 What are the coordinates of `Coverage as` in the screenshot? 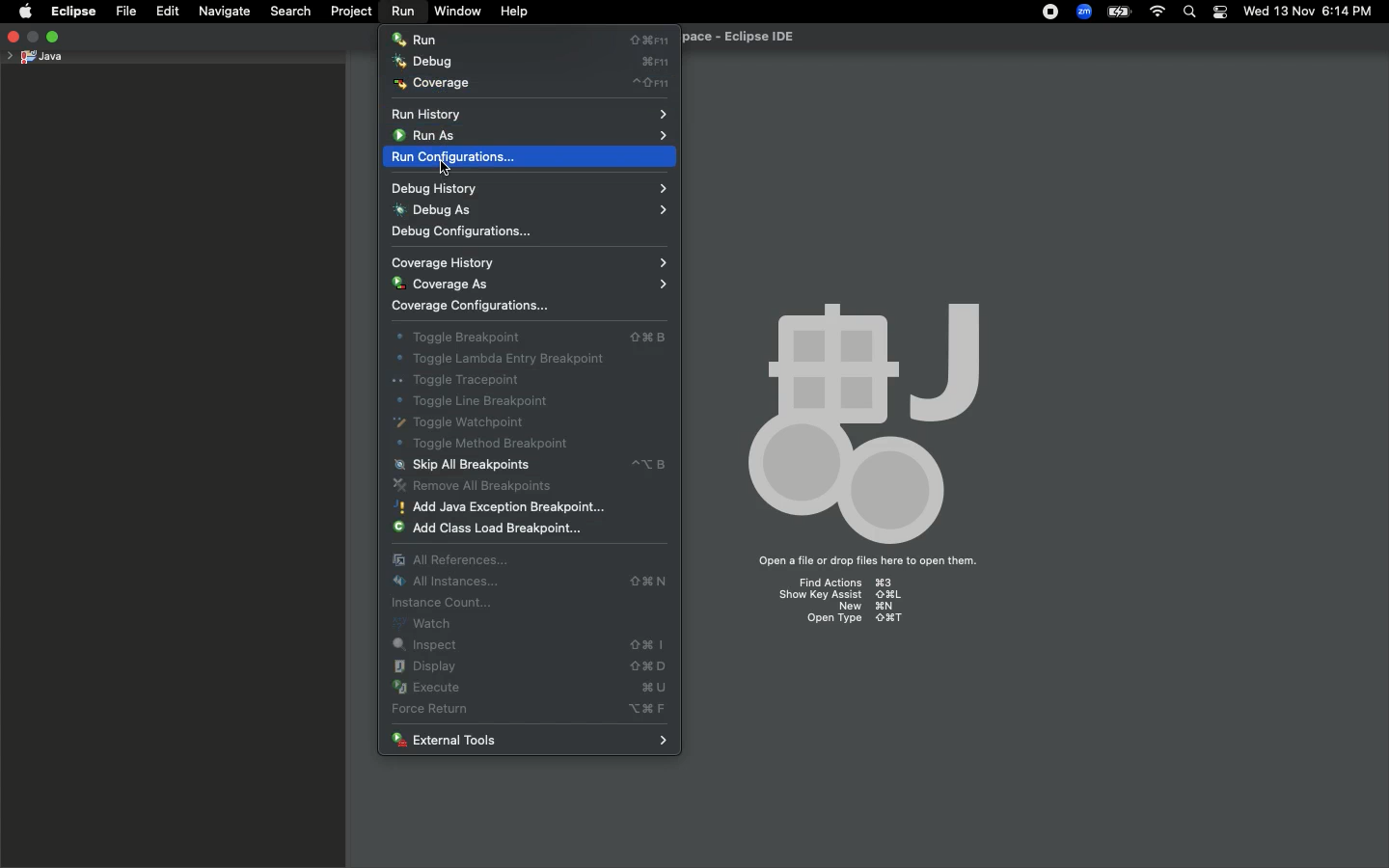 It's located at (529, 285).